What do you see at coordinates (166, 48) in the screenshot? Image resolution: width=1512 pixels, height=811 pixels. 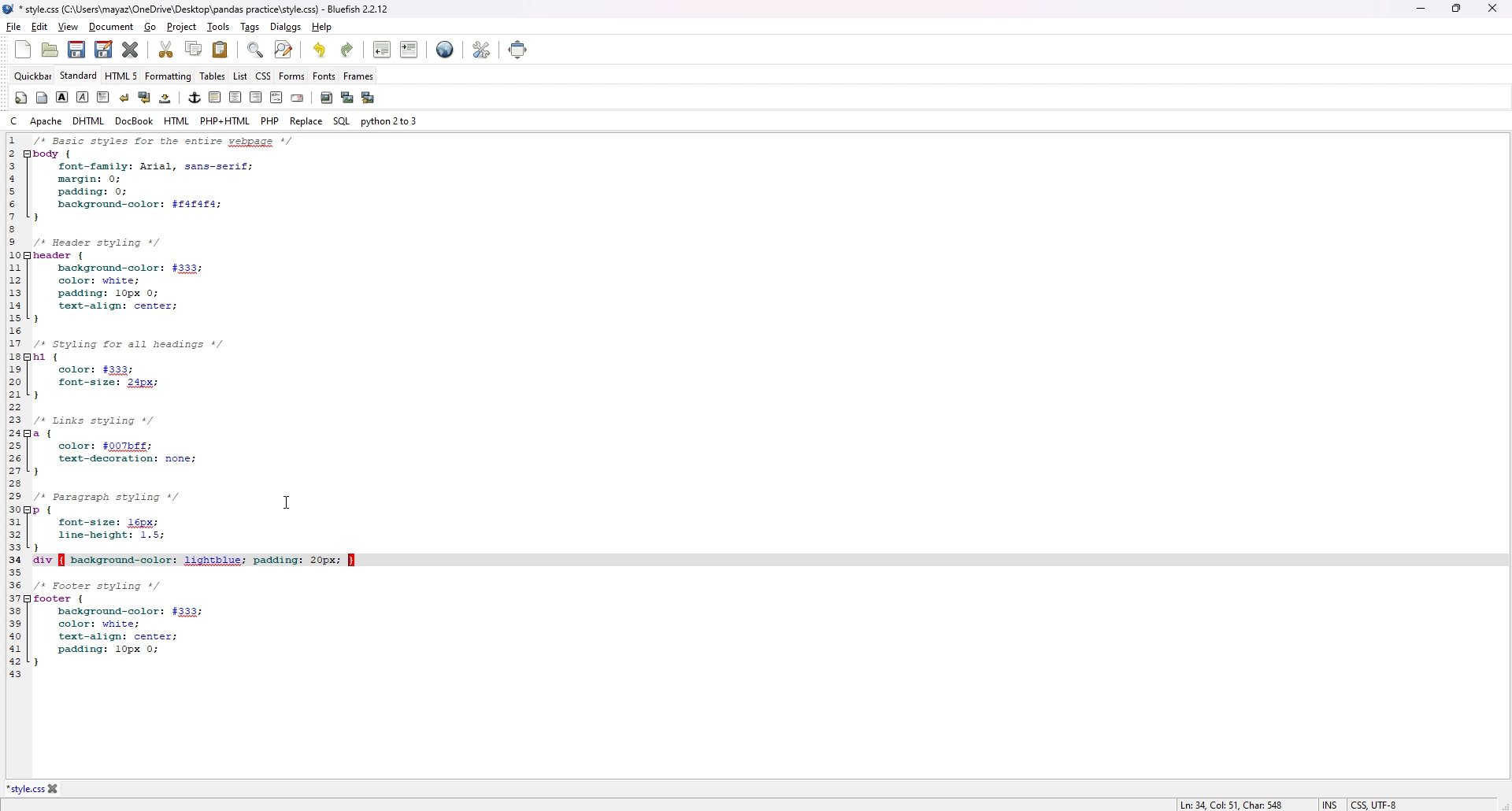 I see `cut` at bounding box center [166, 48].